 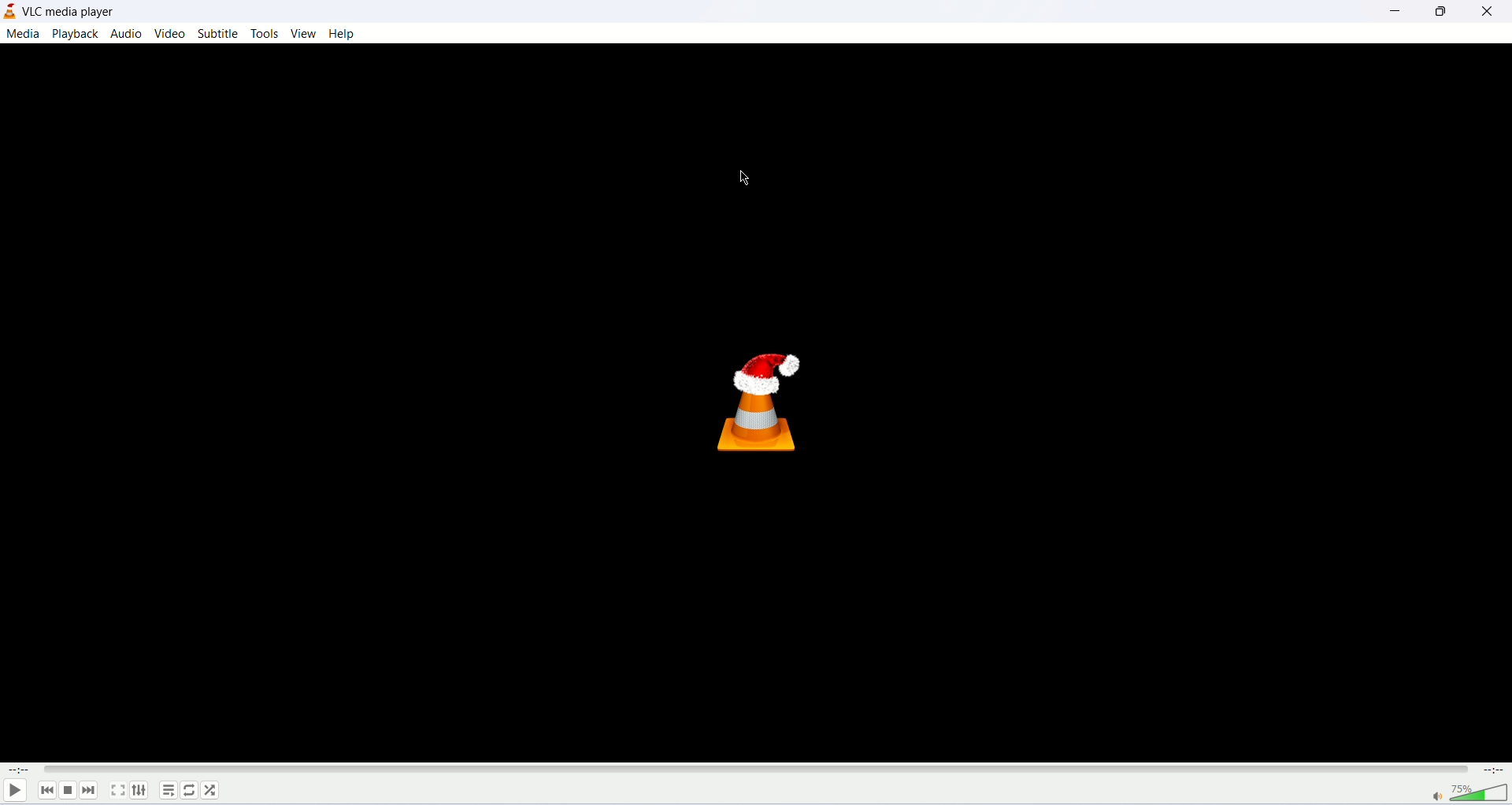 I want to click on tools, so click(x=265, y=35).